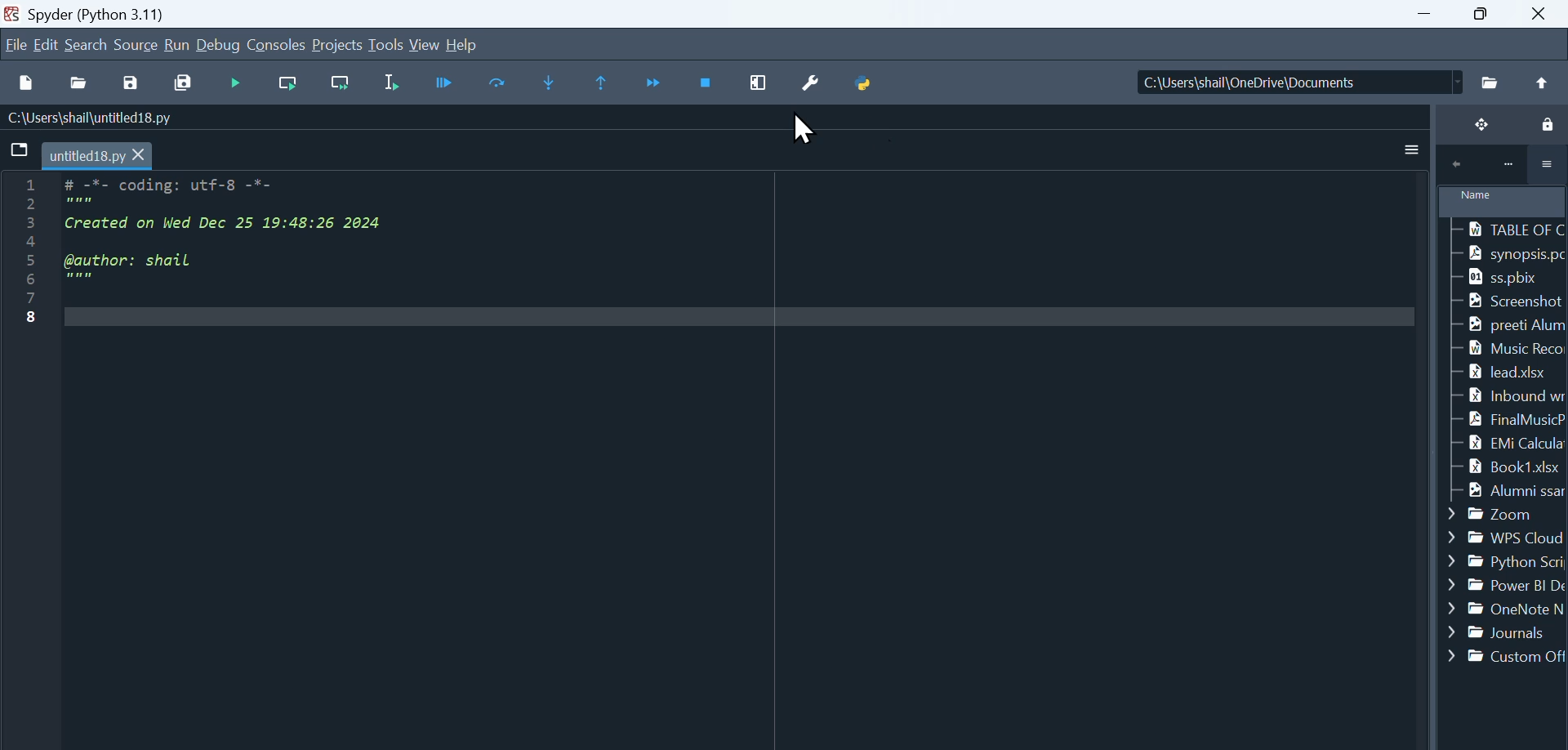 Image resolution: width=1568 pixels, height=750 pixels. Describe the element at coordinates (1508, 323) in the screenshot. I see `preeti Alur.` at that location.